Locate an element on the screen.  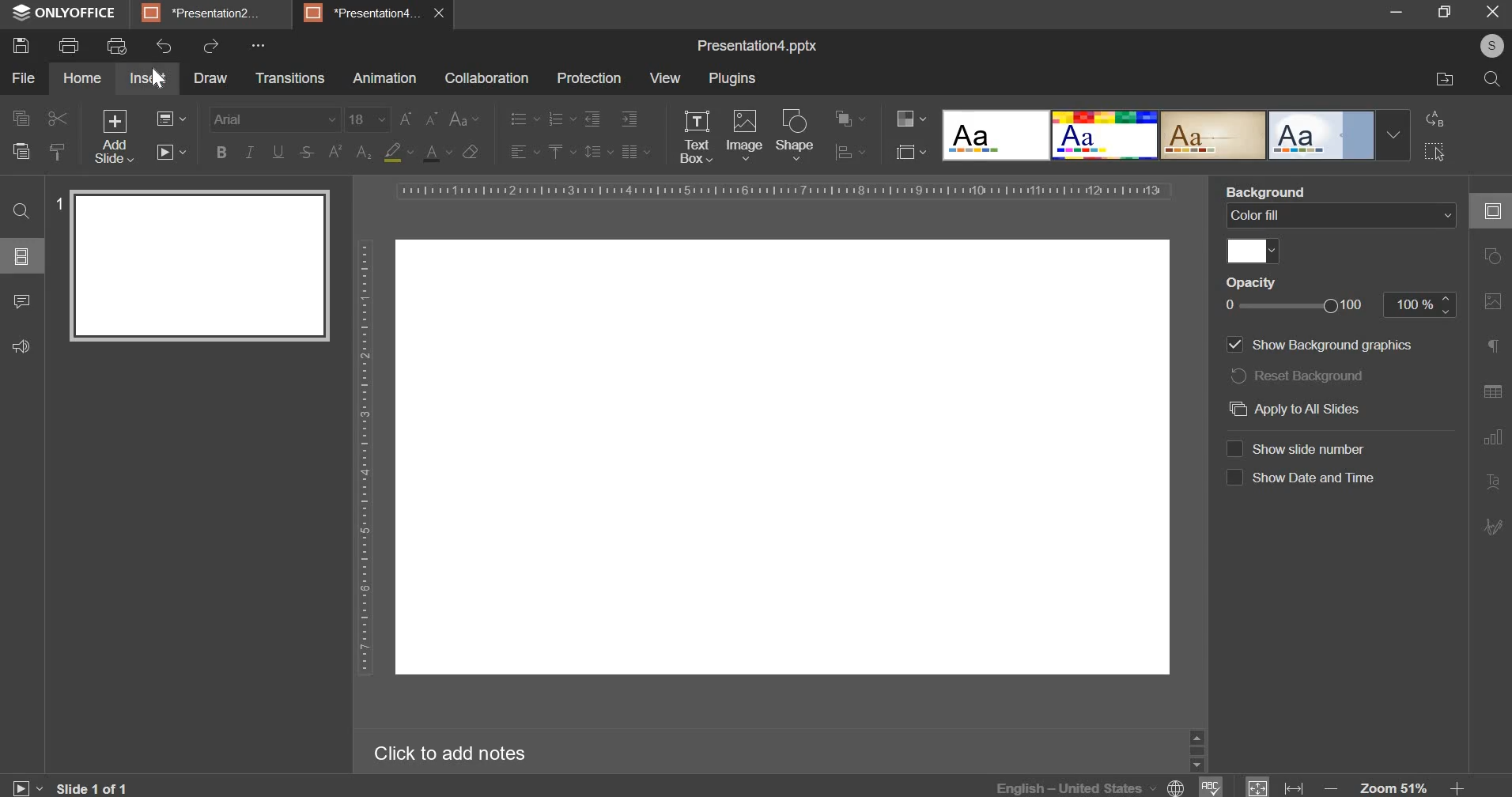
more is located at coordinates (266, 43).